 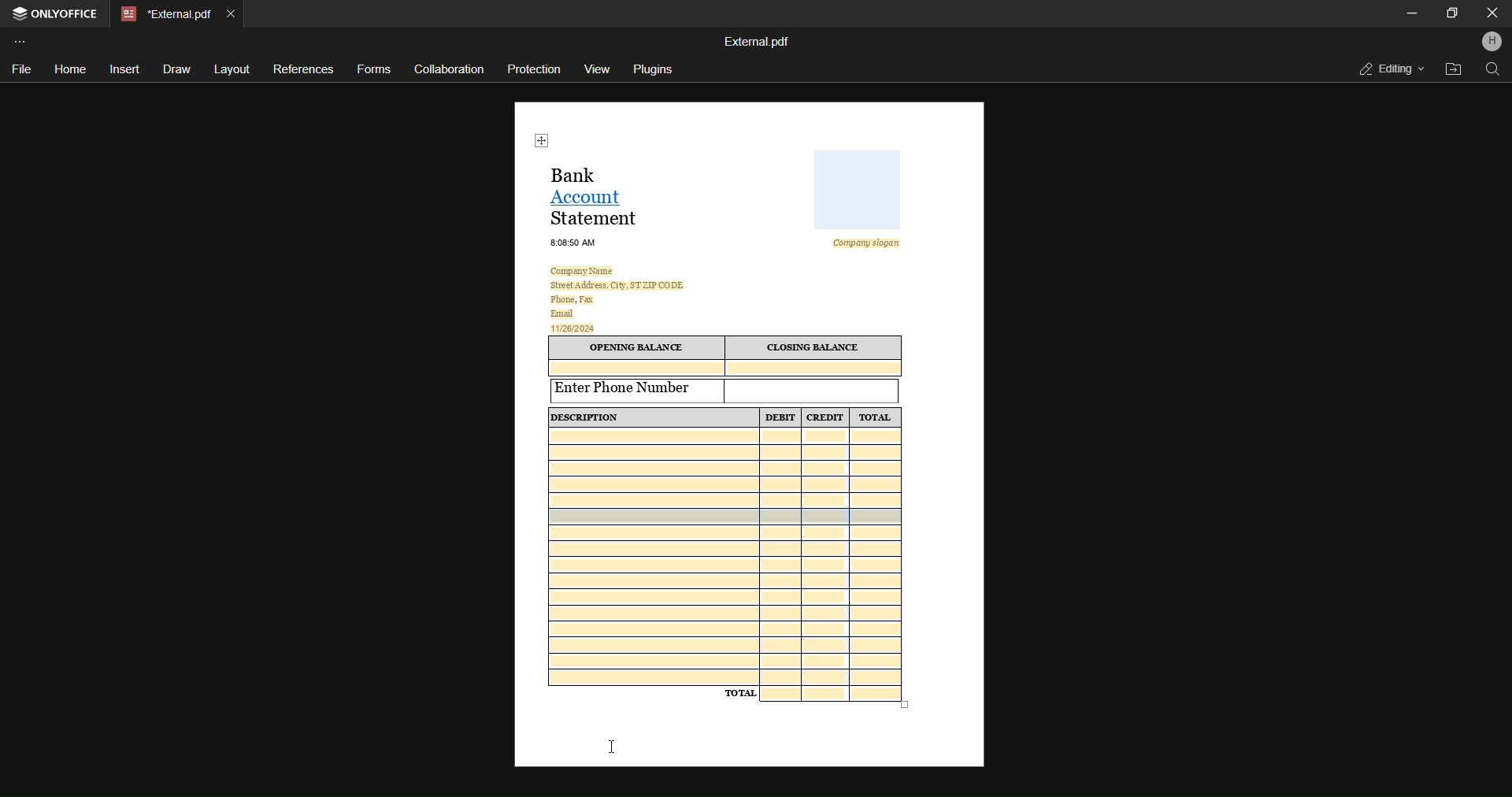 What do you see at coordinates (617, 285) in the screenshot?
I see `‘Street Address. City, ST ZIP CODE` at bounding box center [617, 285].